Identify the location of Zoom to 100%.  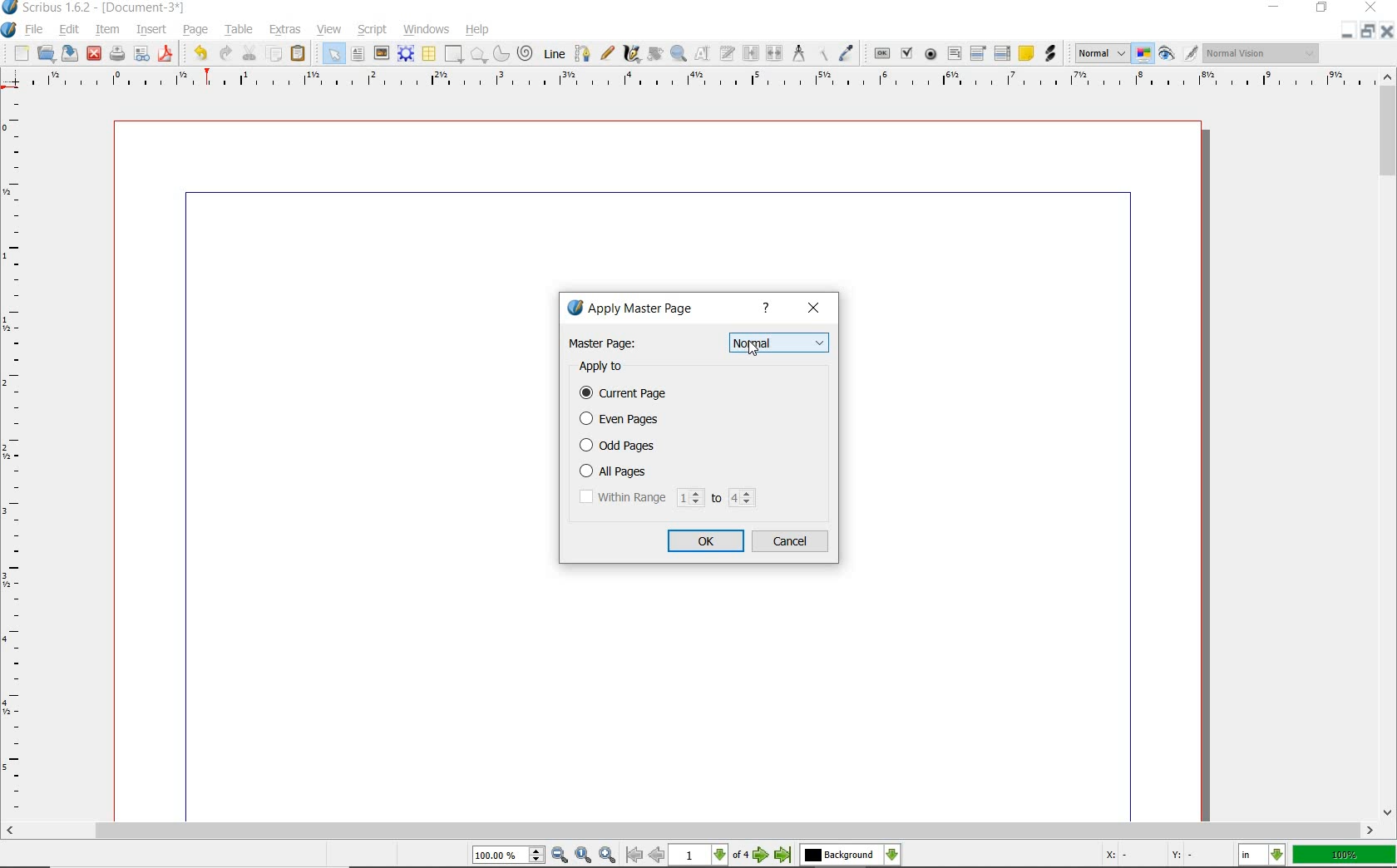
(584, 856).